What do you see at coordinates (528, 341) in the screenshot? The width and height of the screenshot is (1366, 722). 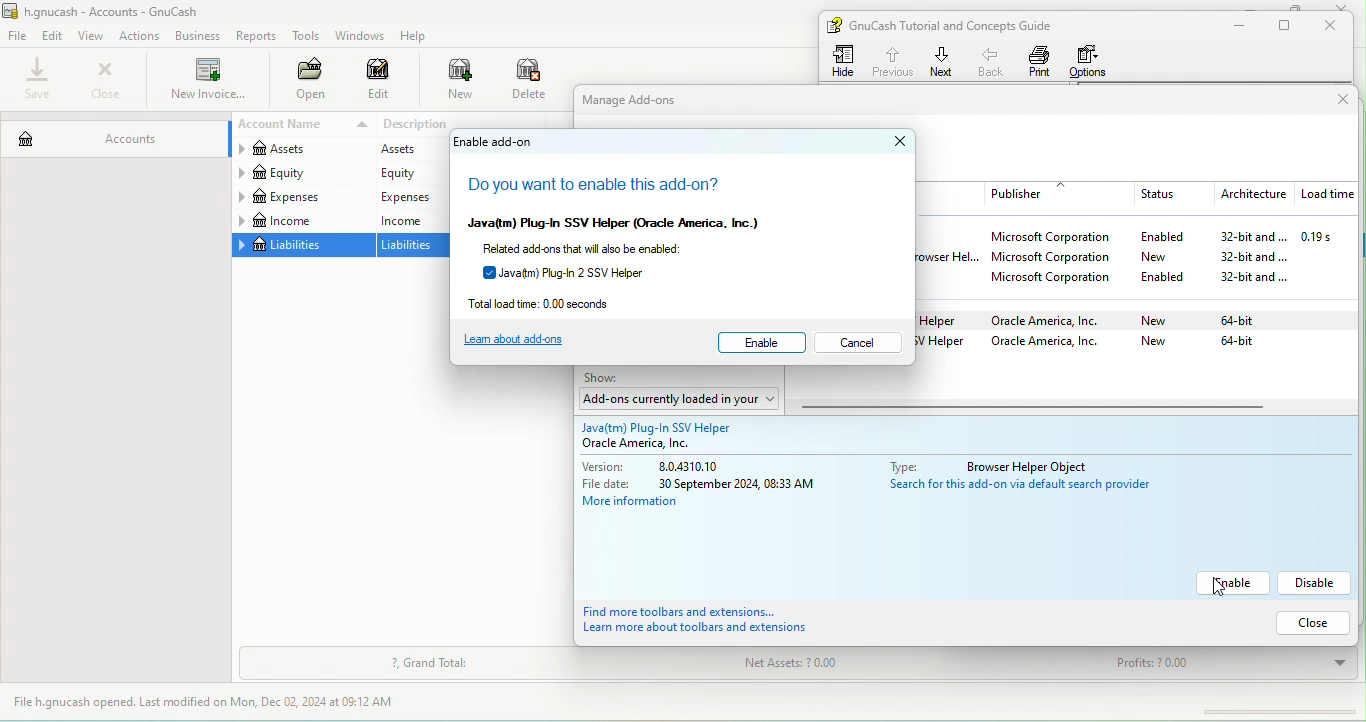 I see `learn about add-ons` at bounding box center [528, 341].